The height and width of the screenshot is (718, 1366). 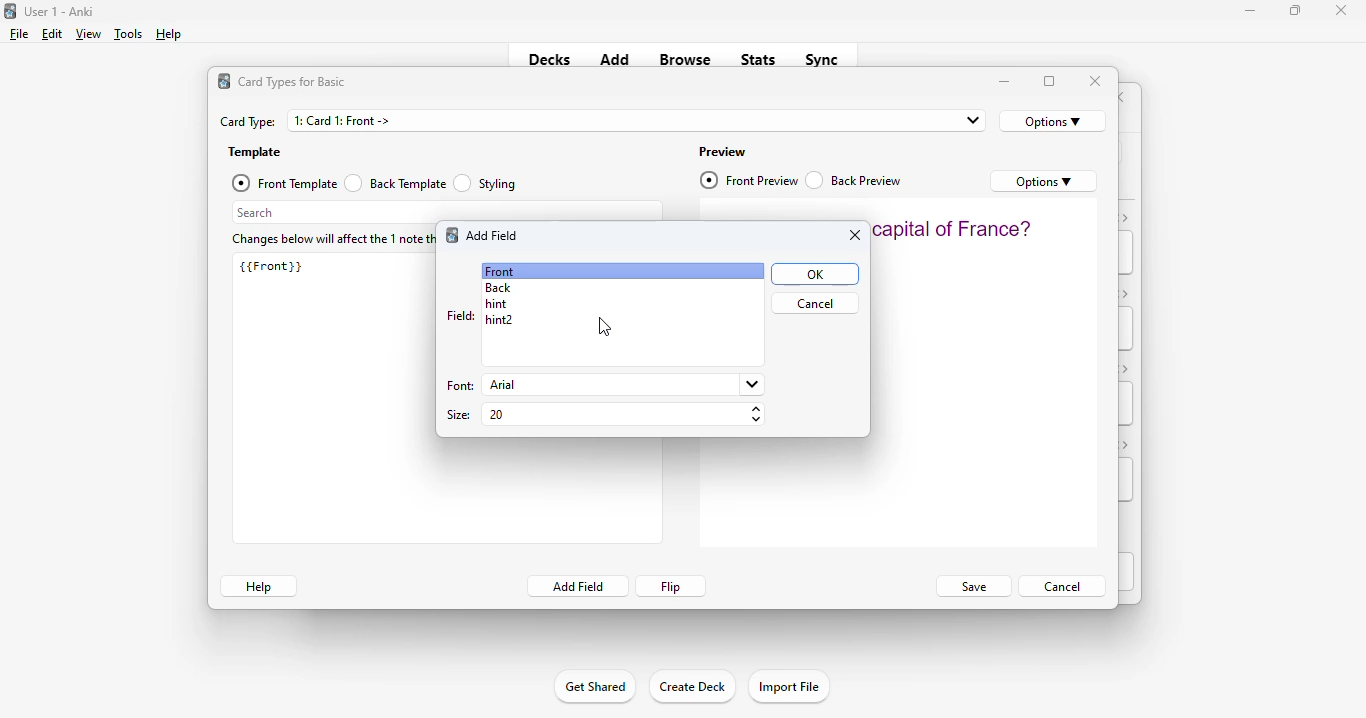 What do you see at coordinates (395, 183) in the screenshot?
I see `back template` at bounding box center [395, 183].